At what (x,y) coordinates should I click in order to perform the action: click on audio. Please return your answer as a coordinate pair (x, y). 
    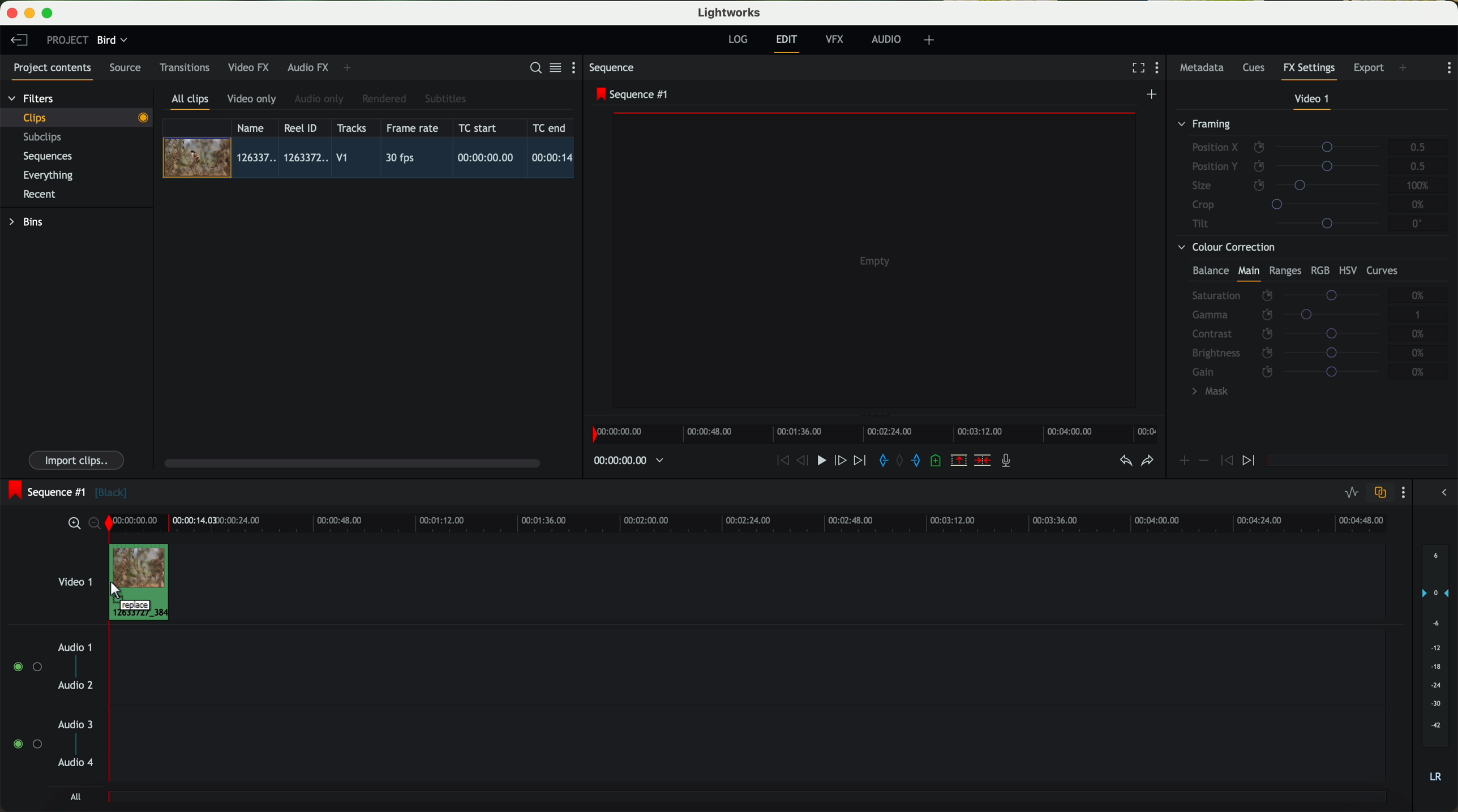
    Looking at the image, I should click on (886, 39).